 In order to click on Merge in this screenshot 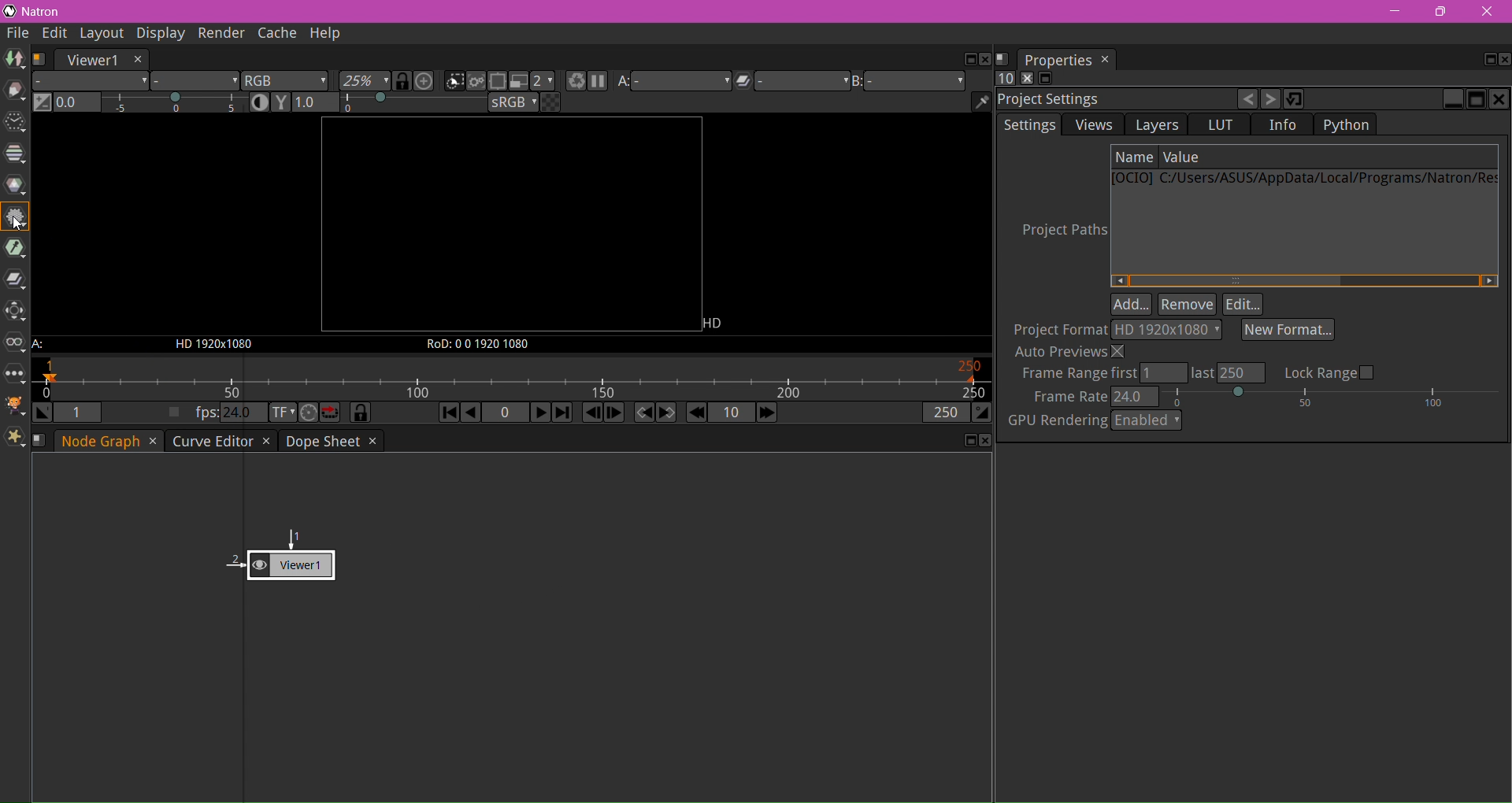, I will do `click(15, 281)`.